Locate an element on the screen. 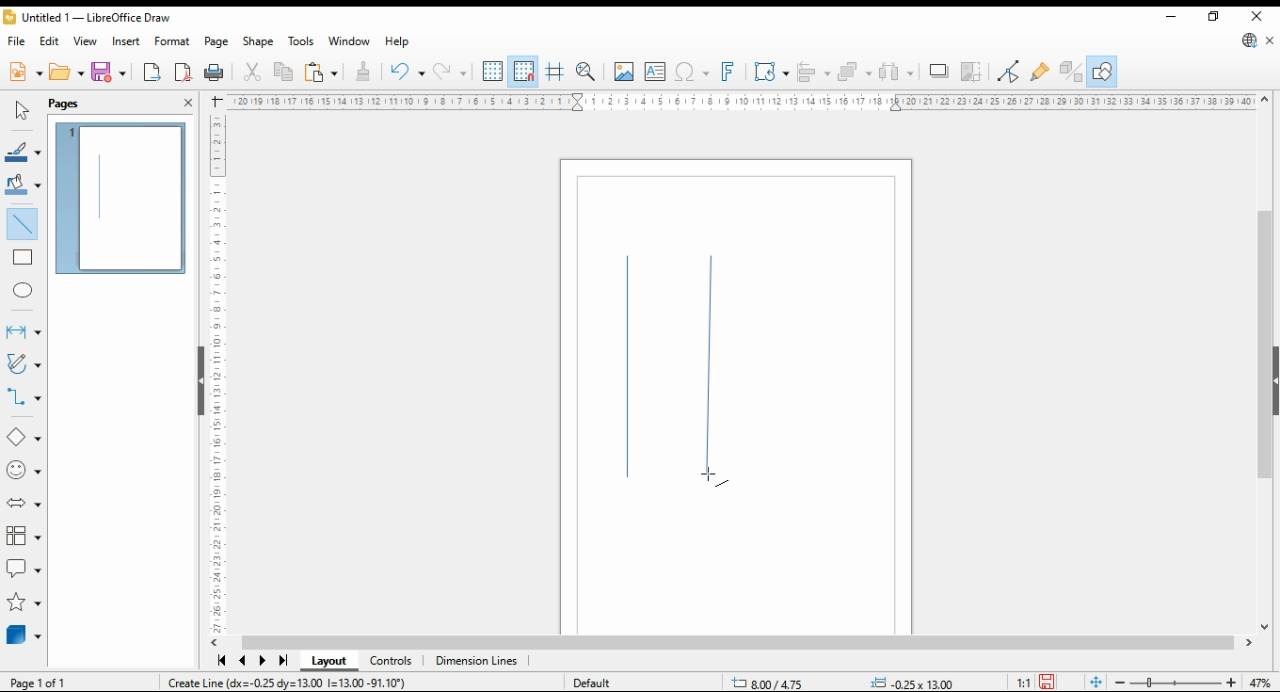  clone formatting is located at coordinates (362, 70).